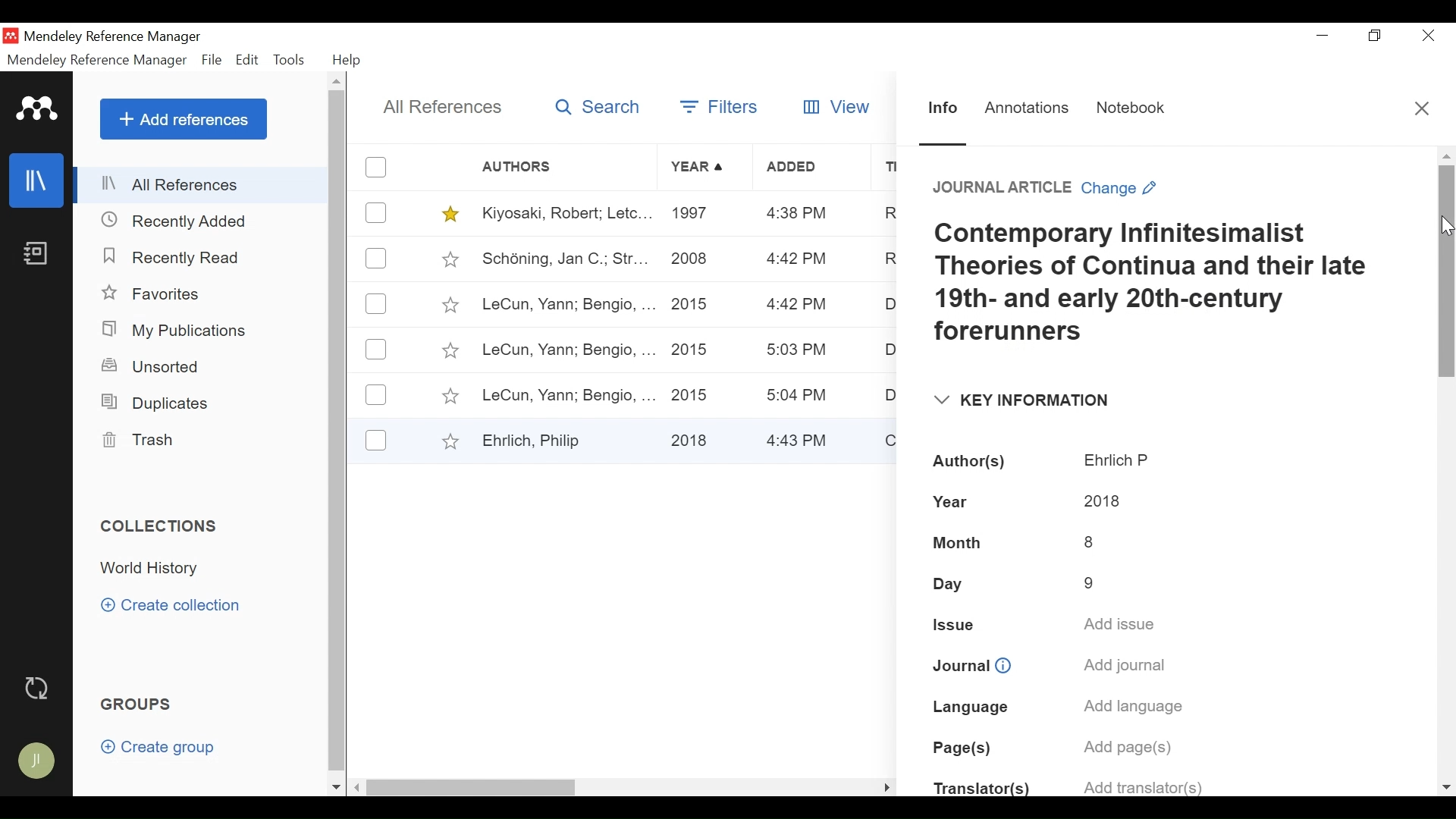 The width and height of the screenshot is (1456, 819). What do you see at coordinates (449, 305) in the screenshot?
I see `(un)select favorite` at bounding box center [449, 305].